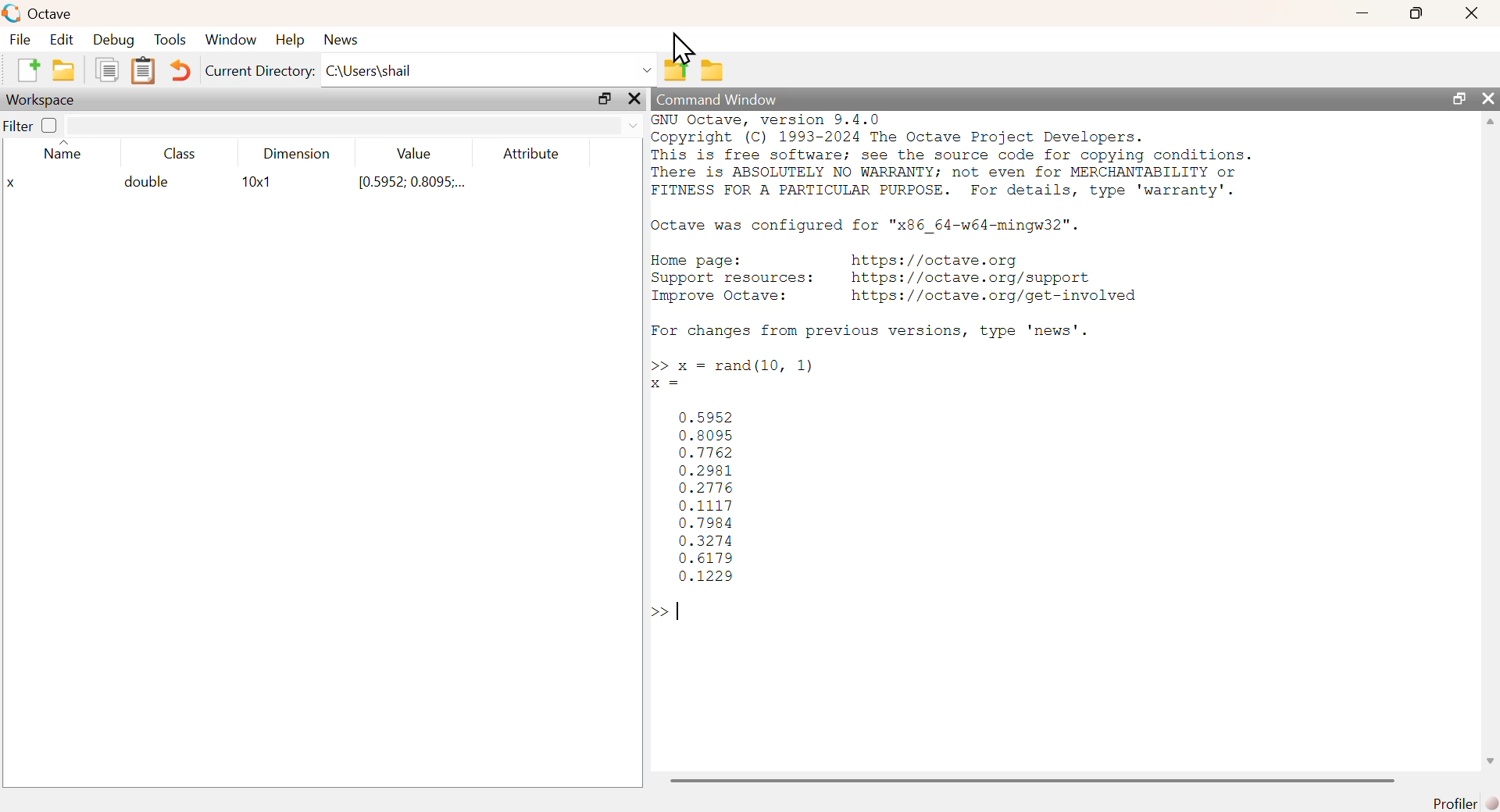 Image resolution: width=1500 pixels, height=812 pixels. I want to click on open an existing file in editor, so click(62, 71).